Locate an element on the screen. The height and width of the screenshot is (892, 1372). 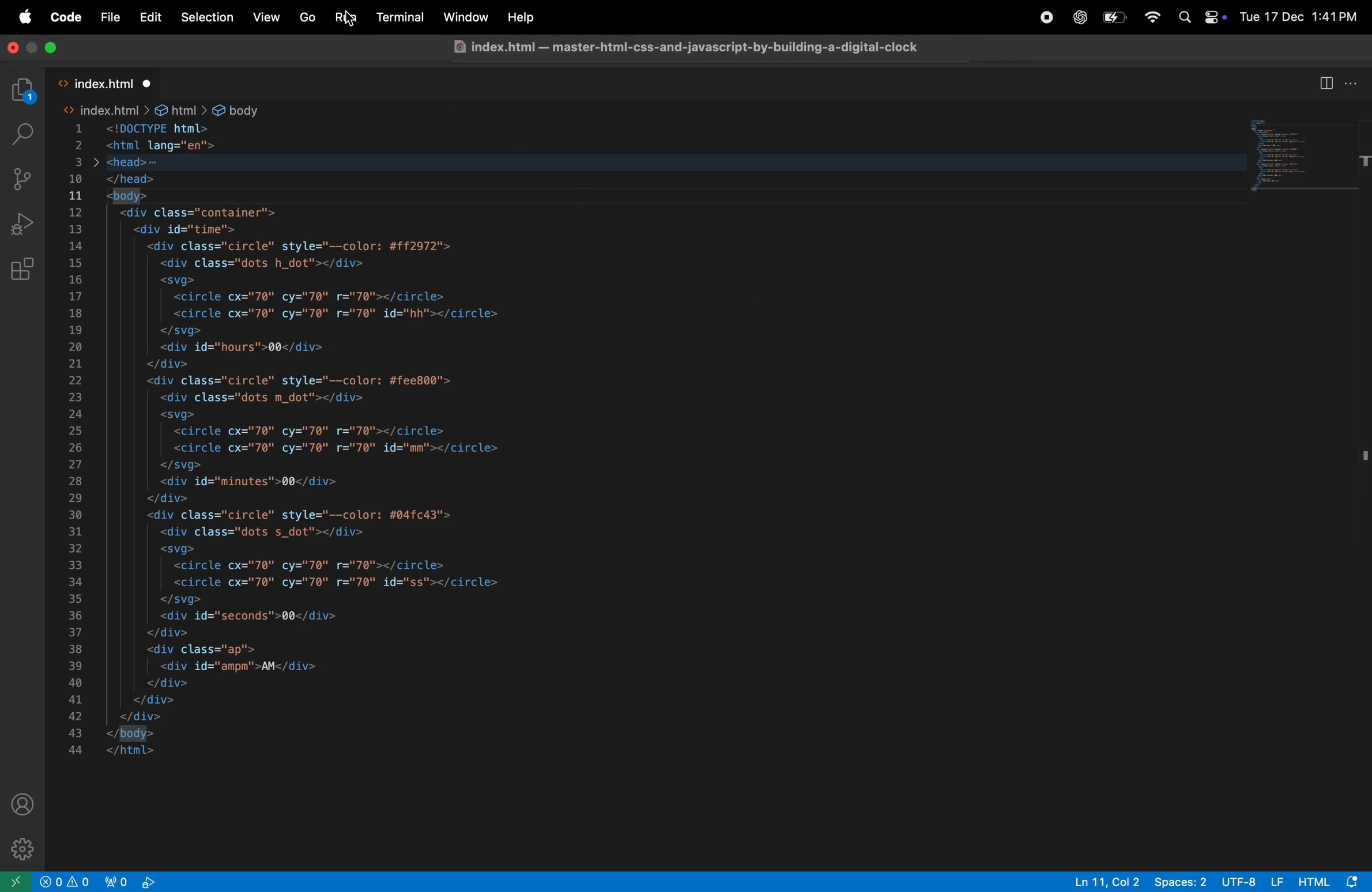
view port is located at coordinates (134, 881).